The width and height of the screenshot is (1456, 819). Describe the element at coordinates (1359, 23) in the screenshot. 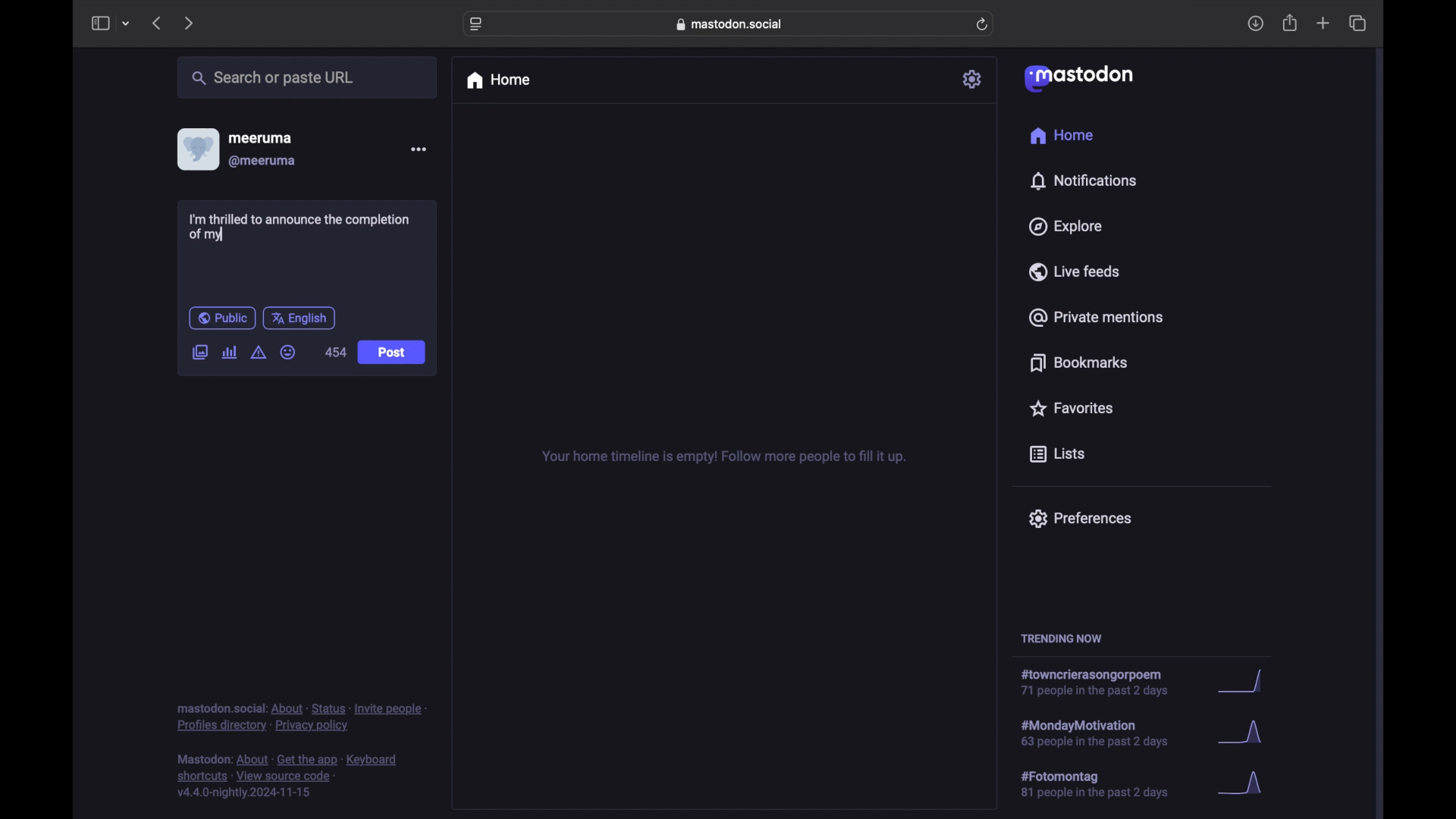

I see `show tab overview` at that location.